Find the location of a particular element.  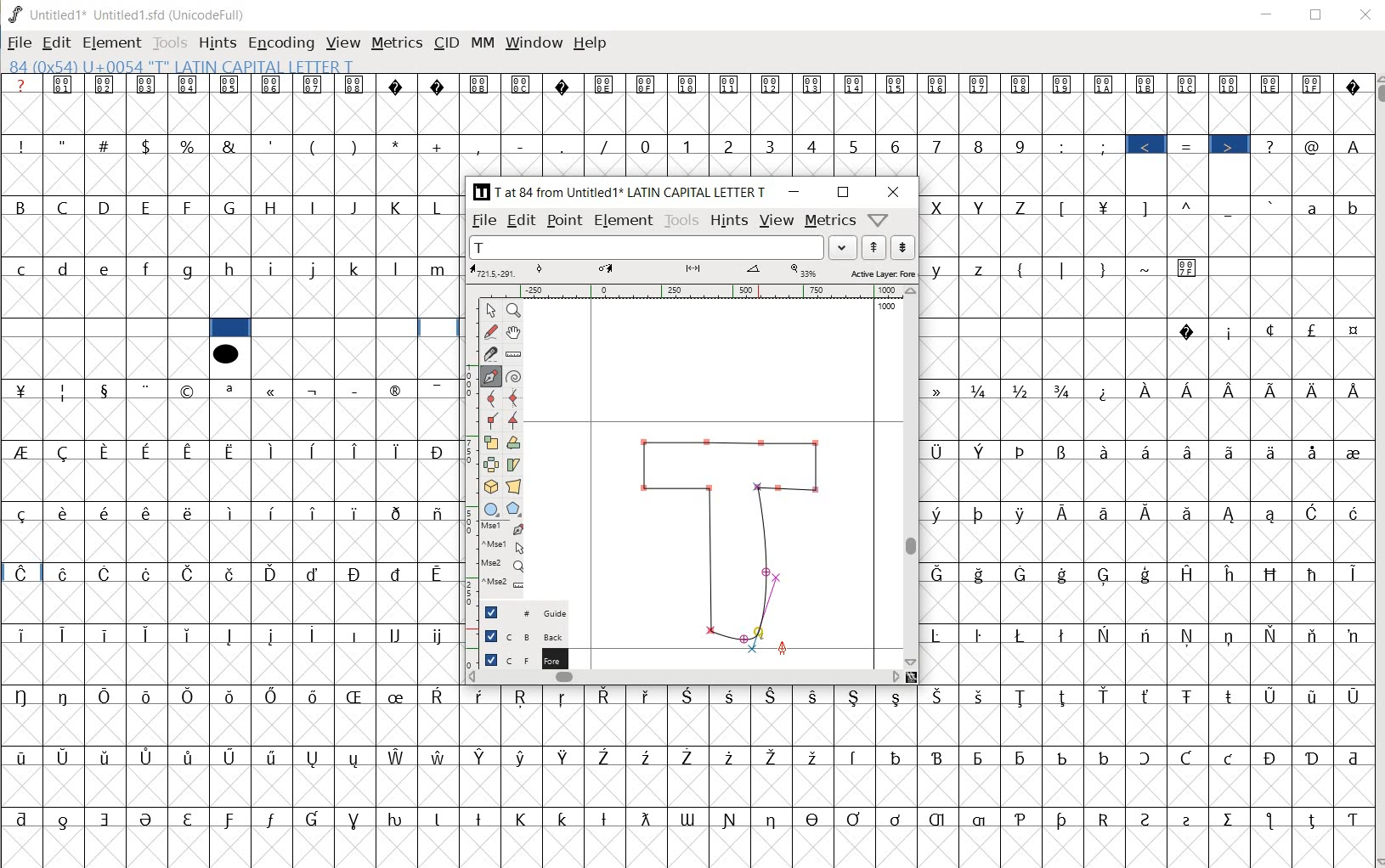

Symbol is located at coordinates (315, 513).